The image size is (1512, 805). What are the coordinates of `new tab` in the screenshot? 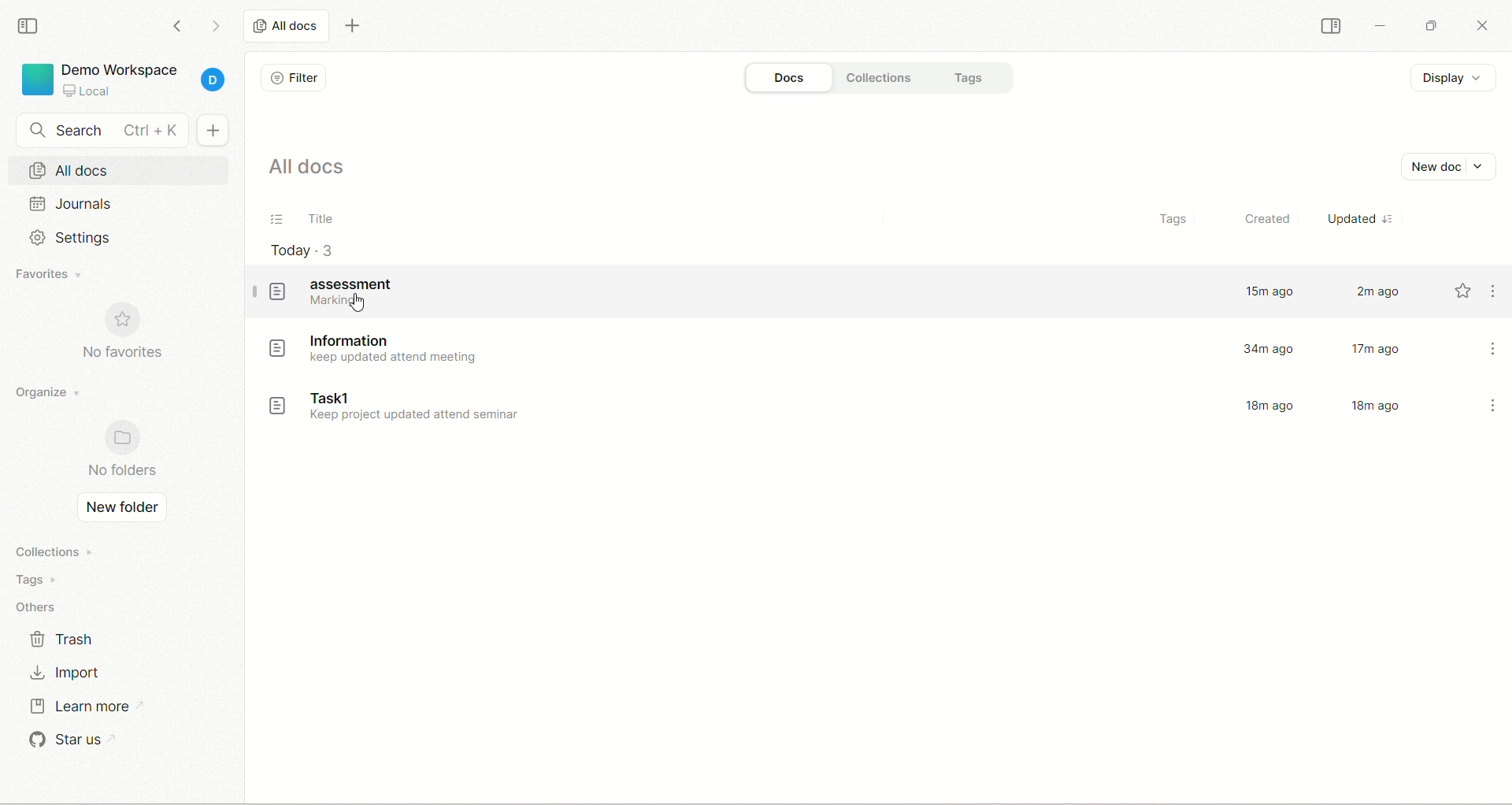 It's located at (353, 30).